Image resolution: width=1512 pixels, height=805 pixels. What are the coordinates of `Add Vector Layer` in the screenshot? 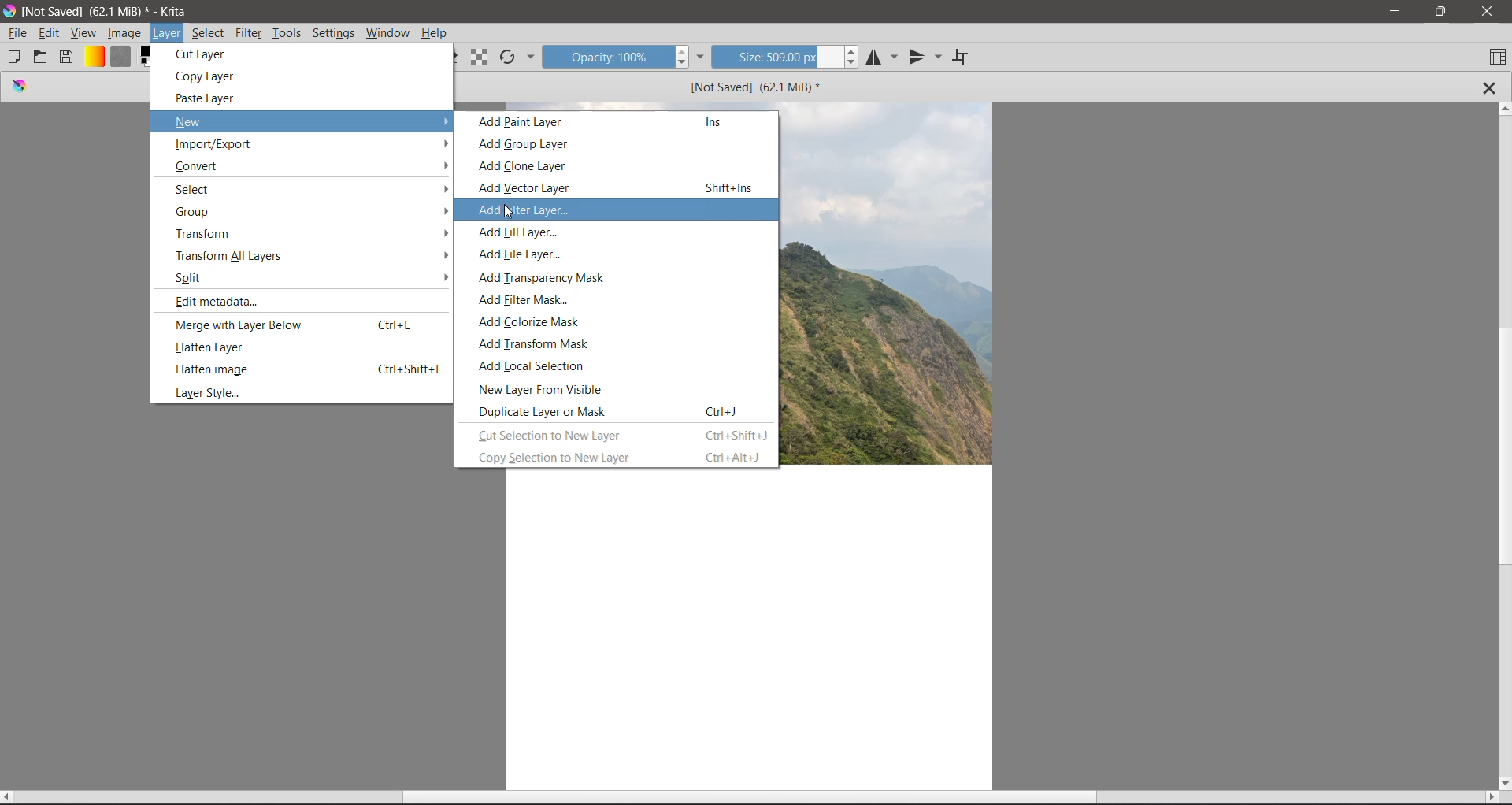 It's located at (621, 187).